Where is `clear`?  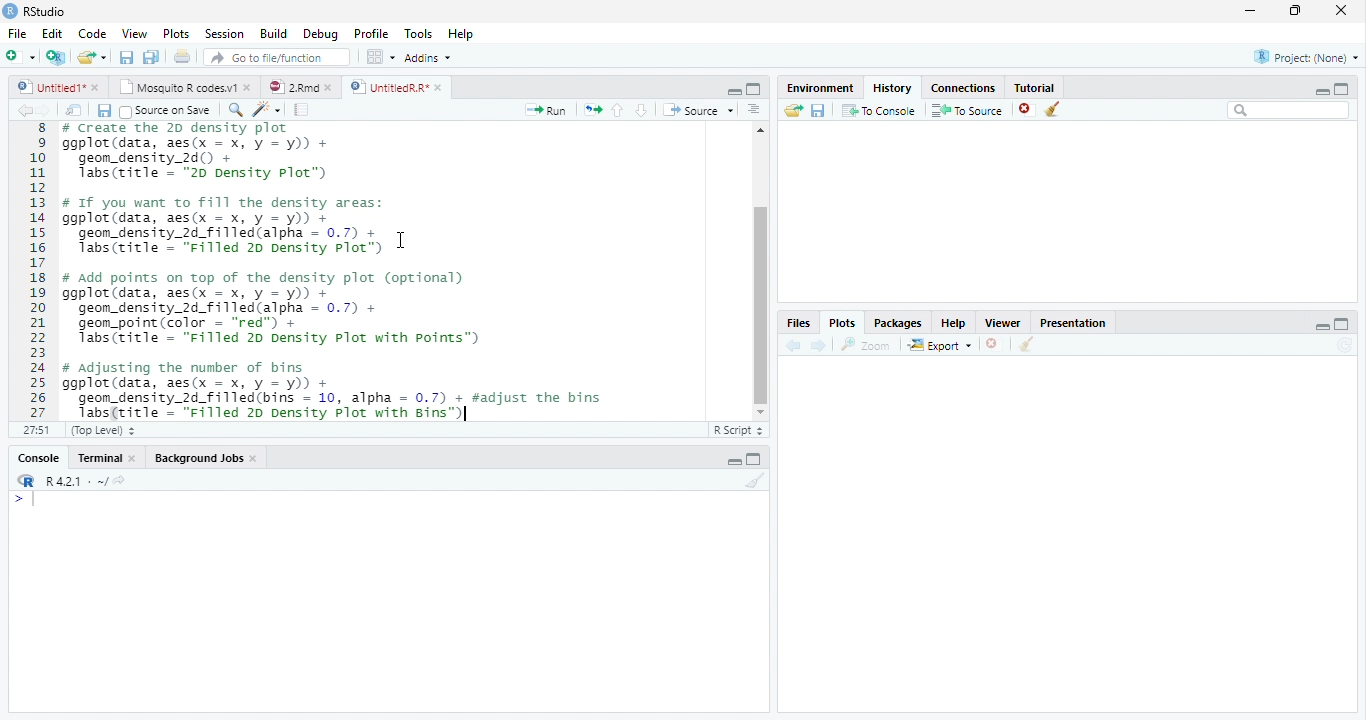
clear is located at coordinates (1053, 110).